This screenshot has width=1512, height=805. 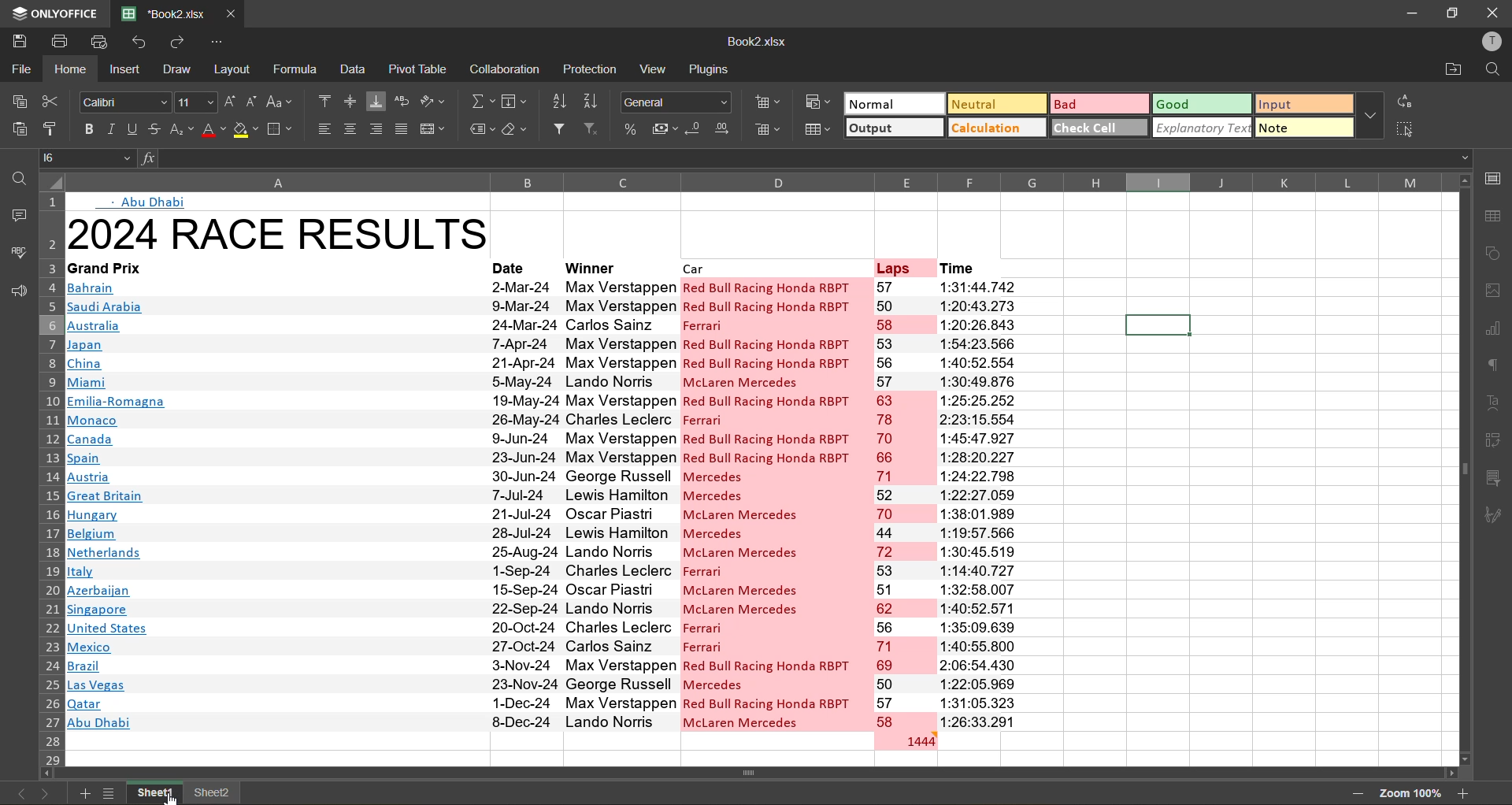 What do you see at coordinates (768, 103) in the screenshot?
I see `insert cells` at bounding box center [768, 103].